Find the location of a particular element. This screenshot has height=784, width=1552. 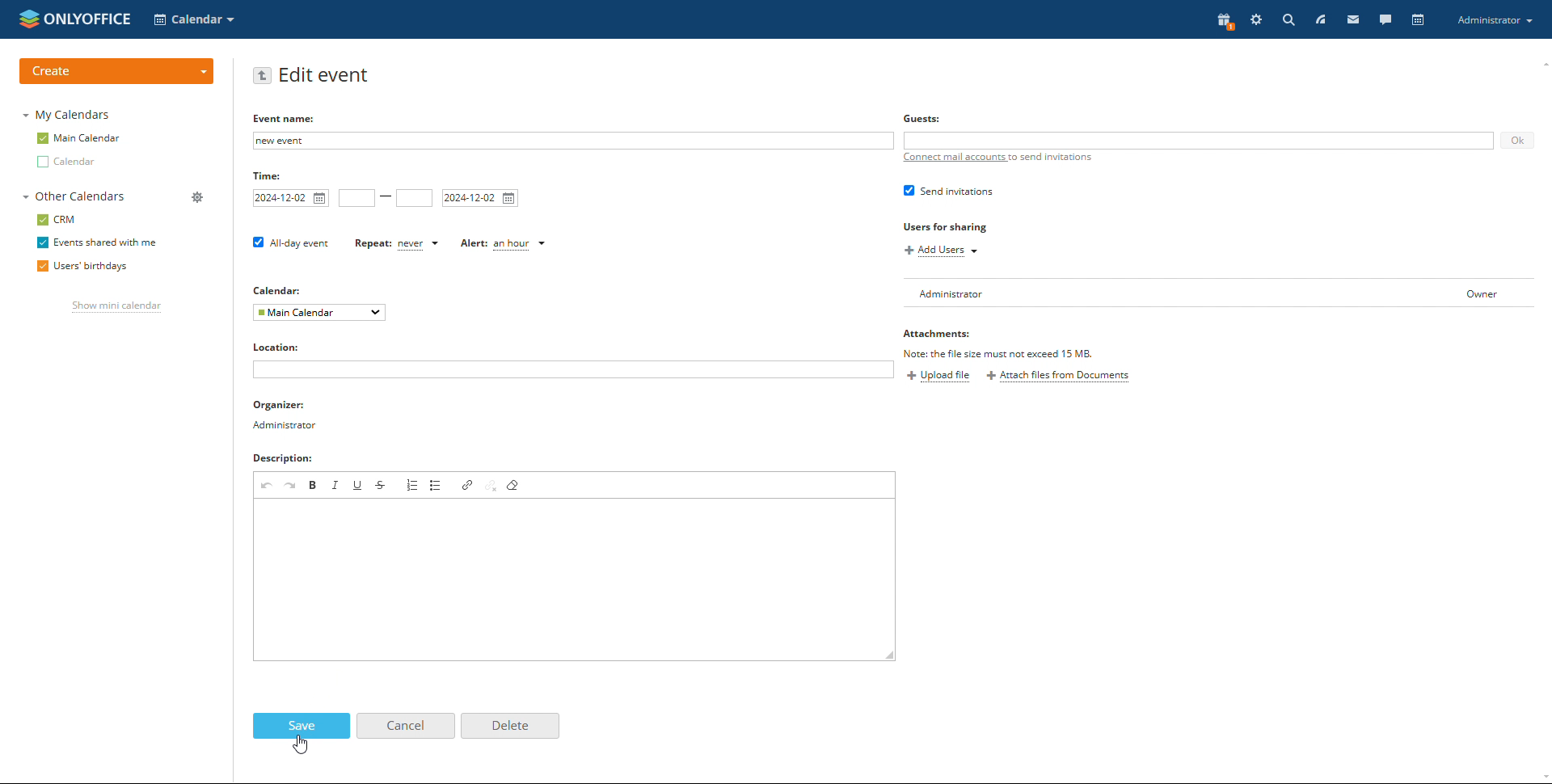

attach files from documents is located at coordinates (1064, 377).